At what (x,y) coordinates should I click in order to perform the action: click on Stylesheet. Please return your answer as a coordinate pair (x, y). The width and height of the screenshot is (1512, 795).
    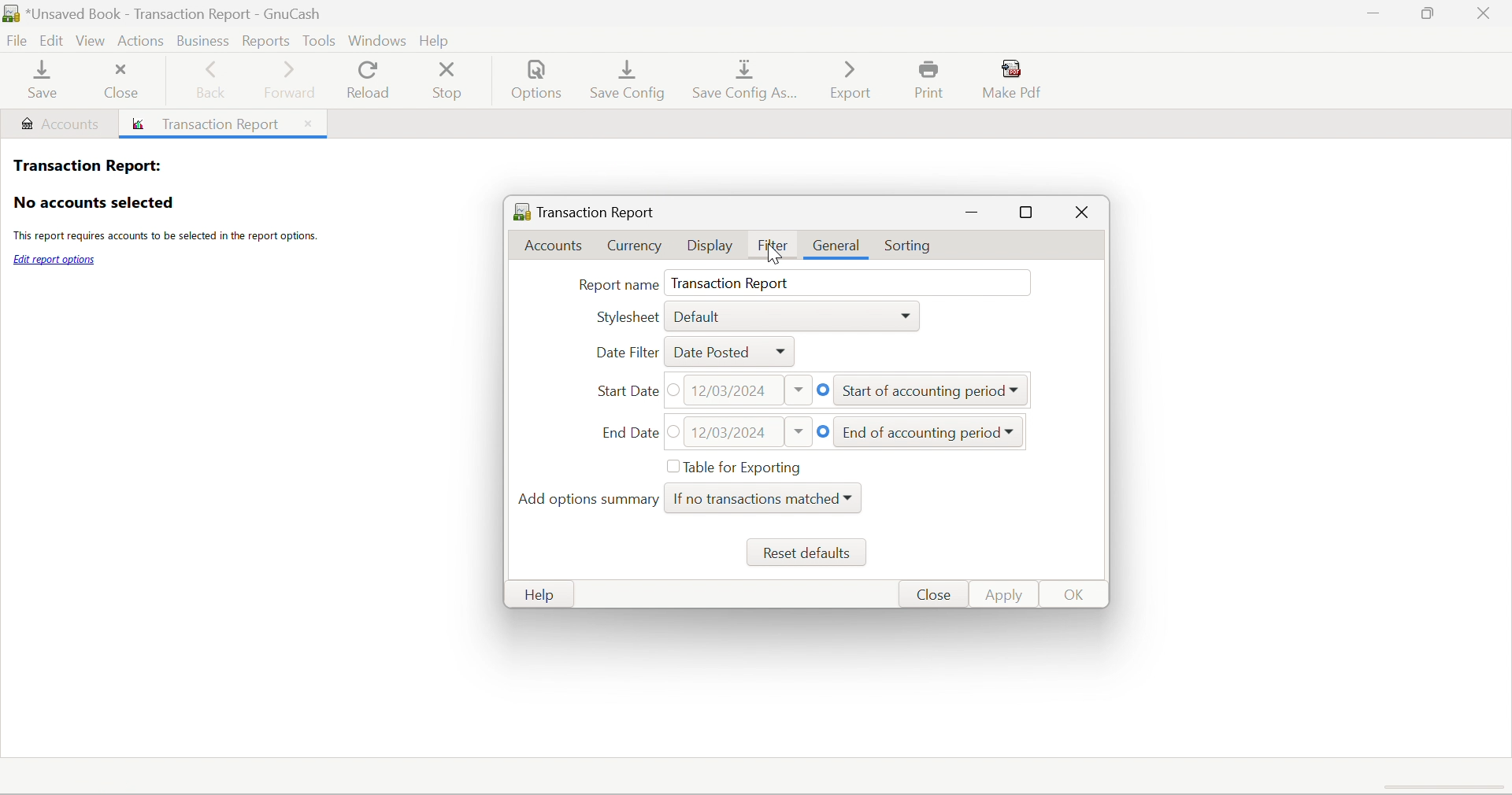
    Looking at the image, I should click on (628, 317).